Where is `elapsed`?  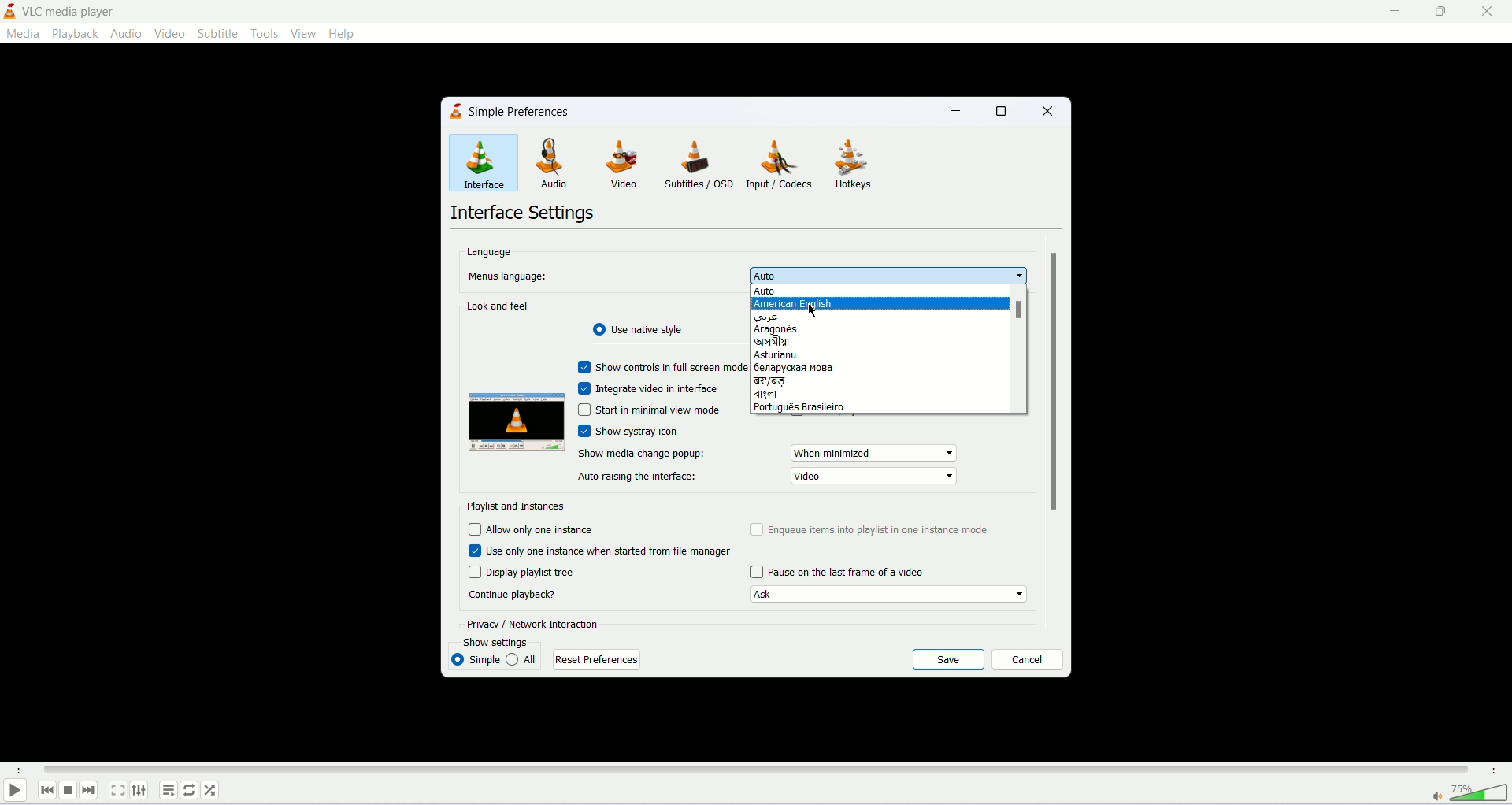 elapsed is located at coordinates (20, 770).